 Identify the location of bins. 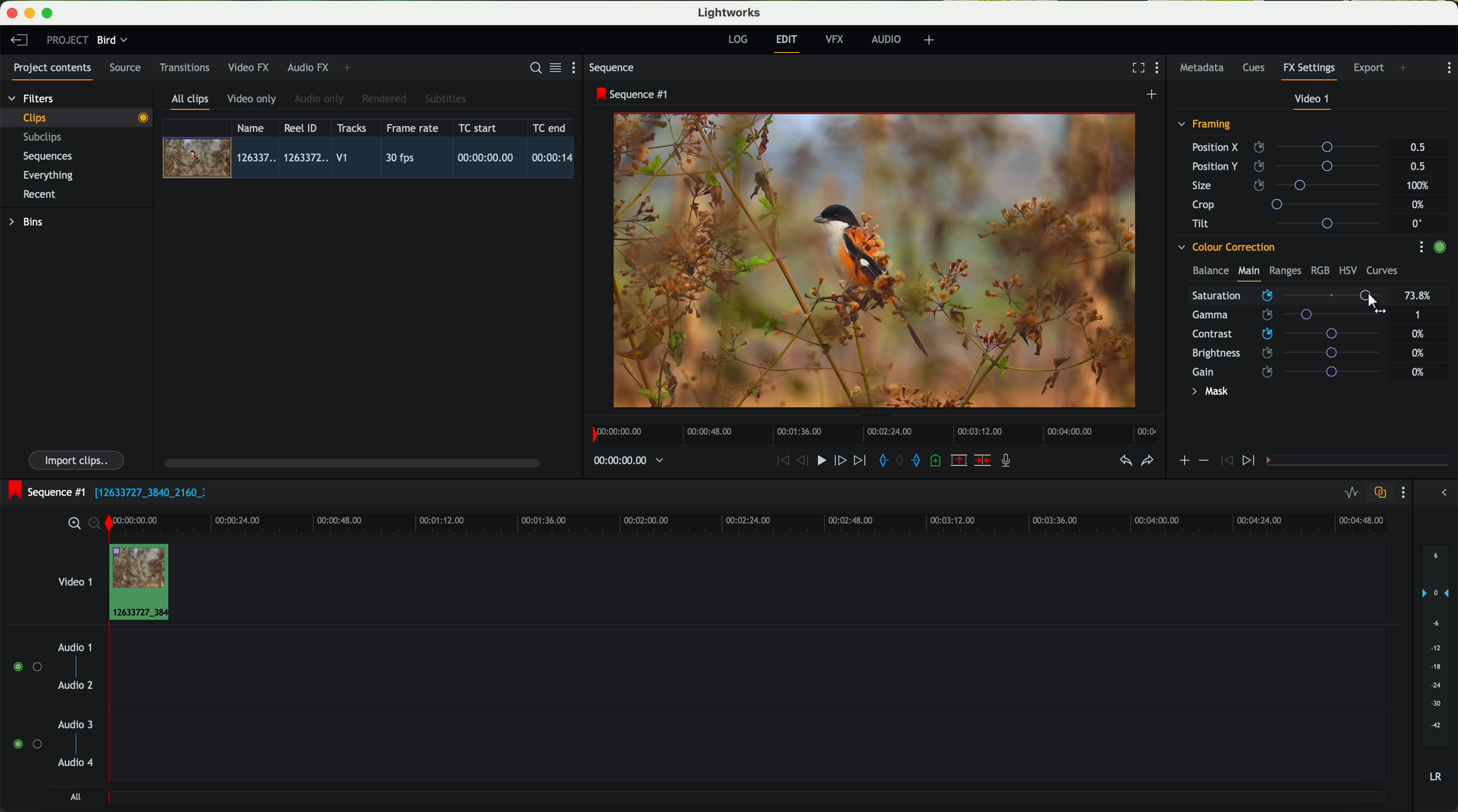
(28, 222).